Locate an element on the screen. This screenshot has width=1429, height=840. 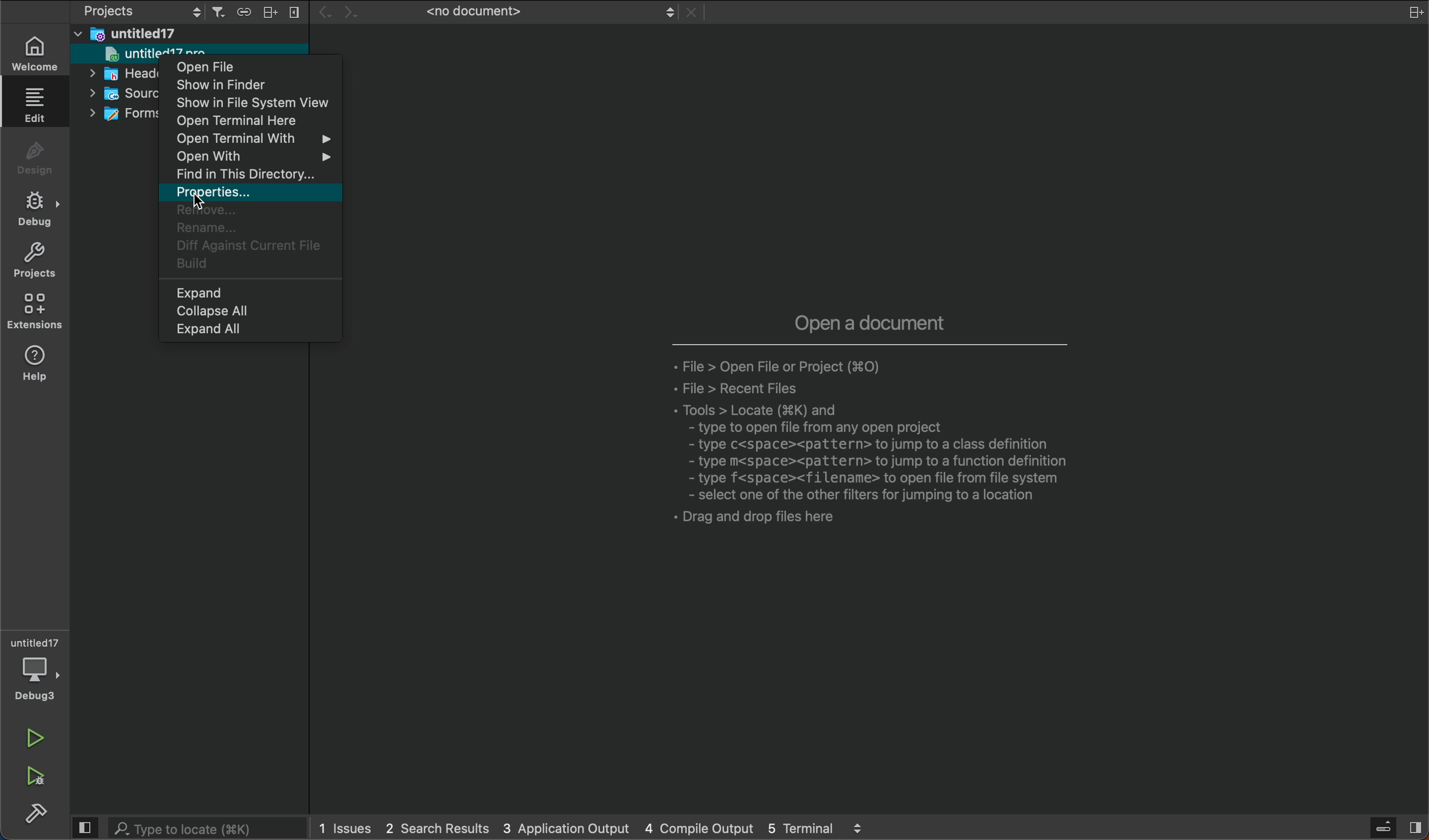
open with is located at coordinates (253, 159).